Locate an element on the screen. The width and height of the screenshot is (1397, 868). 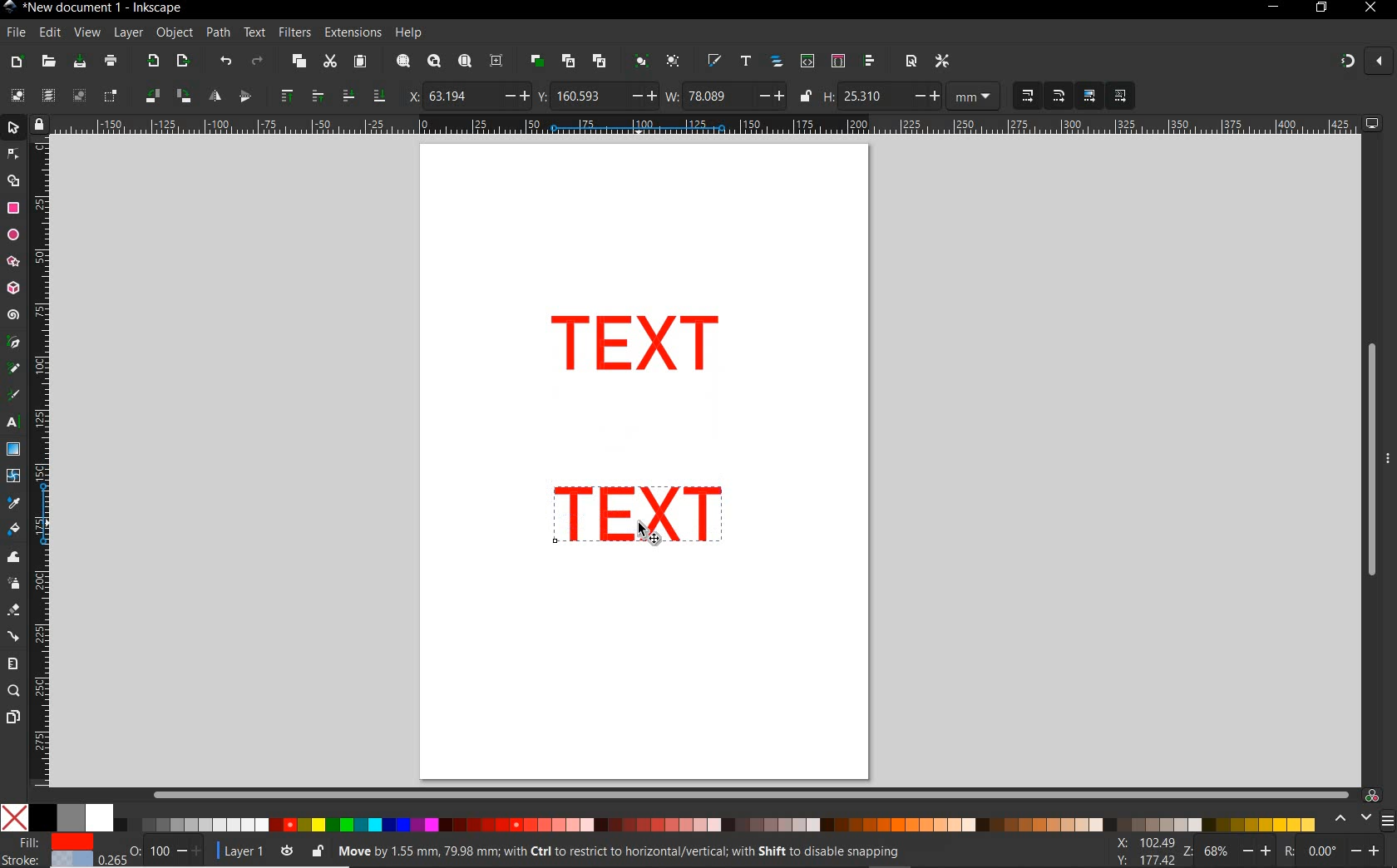
More  is located at coordinates (1388, 465).